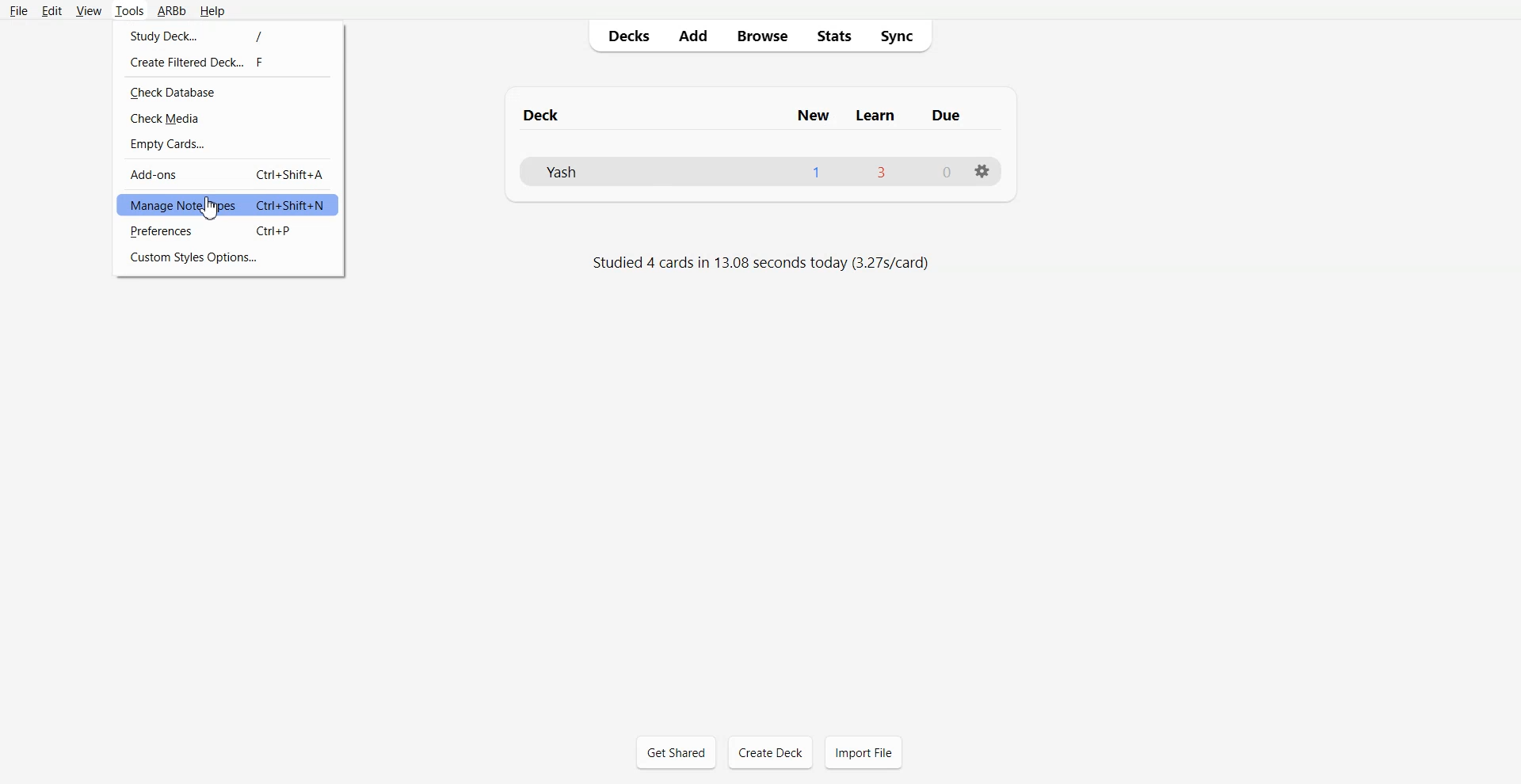 This screenshot has width=1521, height=784. Describe the element at coordinates (771, 752) in the screenshot. I see `Create Deck` at that location.